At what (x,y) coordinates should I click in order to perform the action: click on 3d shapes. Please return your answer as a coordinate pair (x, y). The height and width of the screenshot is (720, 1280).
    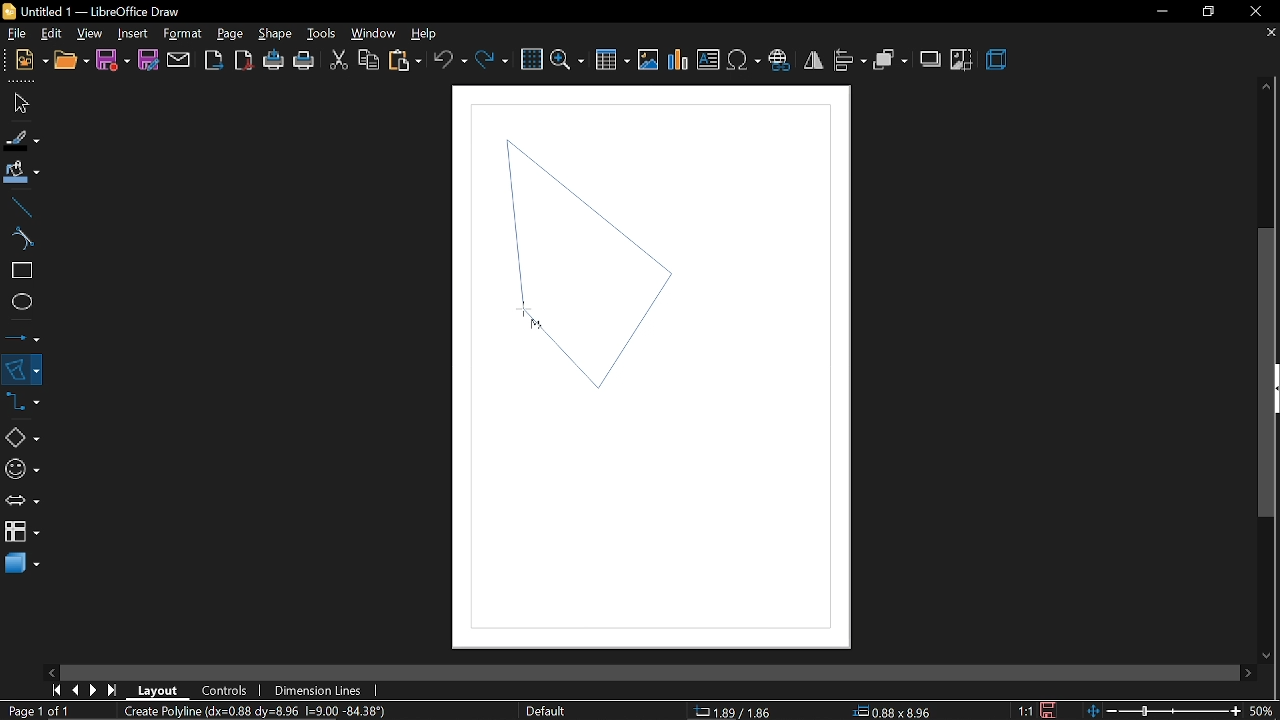
    Looking at the image, I should click on (20, 564).